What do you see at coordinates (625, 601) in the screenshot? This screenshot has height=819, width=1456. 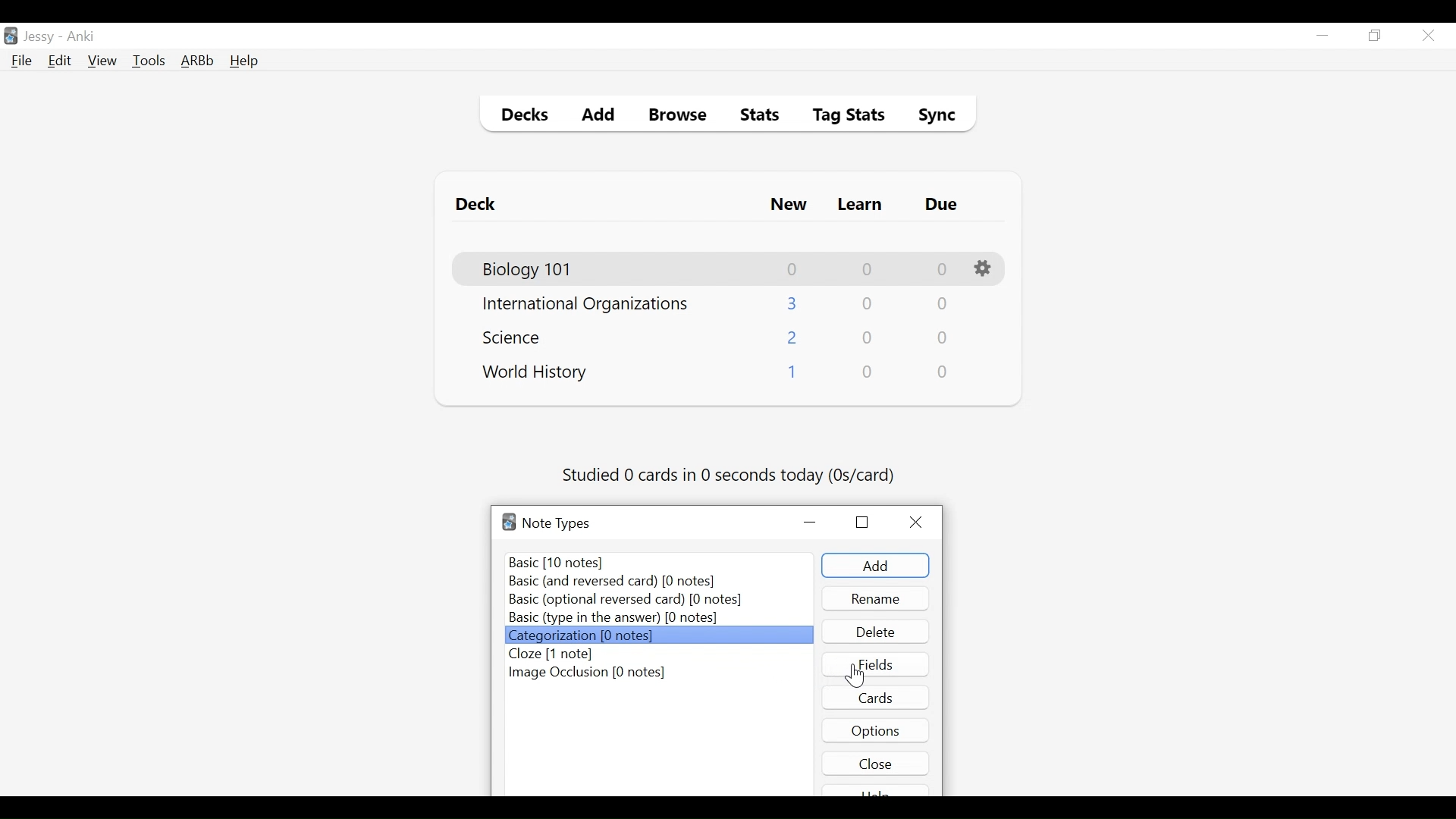 I see `Basic (optional reversed card) (number of notes)` at bounding box center [625, 601].